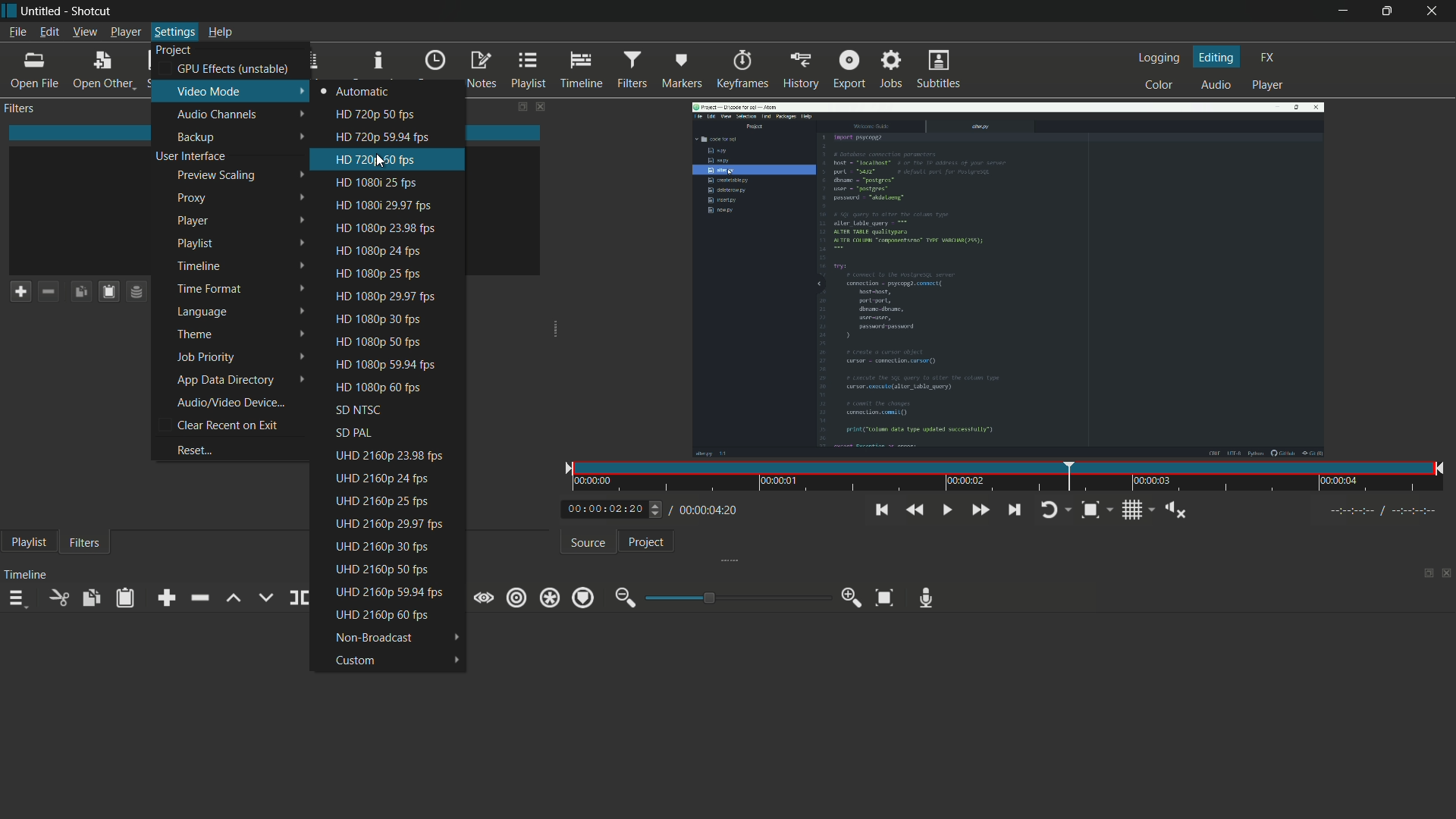 The height and width of the screenshot is (819, 1456). Describe the element at coordinates (893, 70) in the screenshot. I see `jobs` at that location.